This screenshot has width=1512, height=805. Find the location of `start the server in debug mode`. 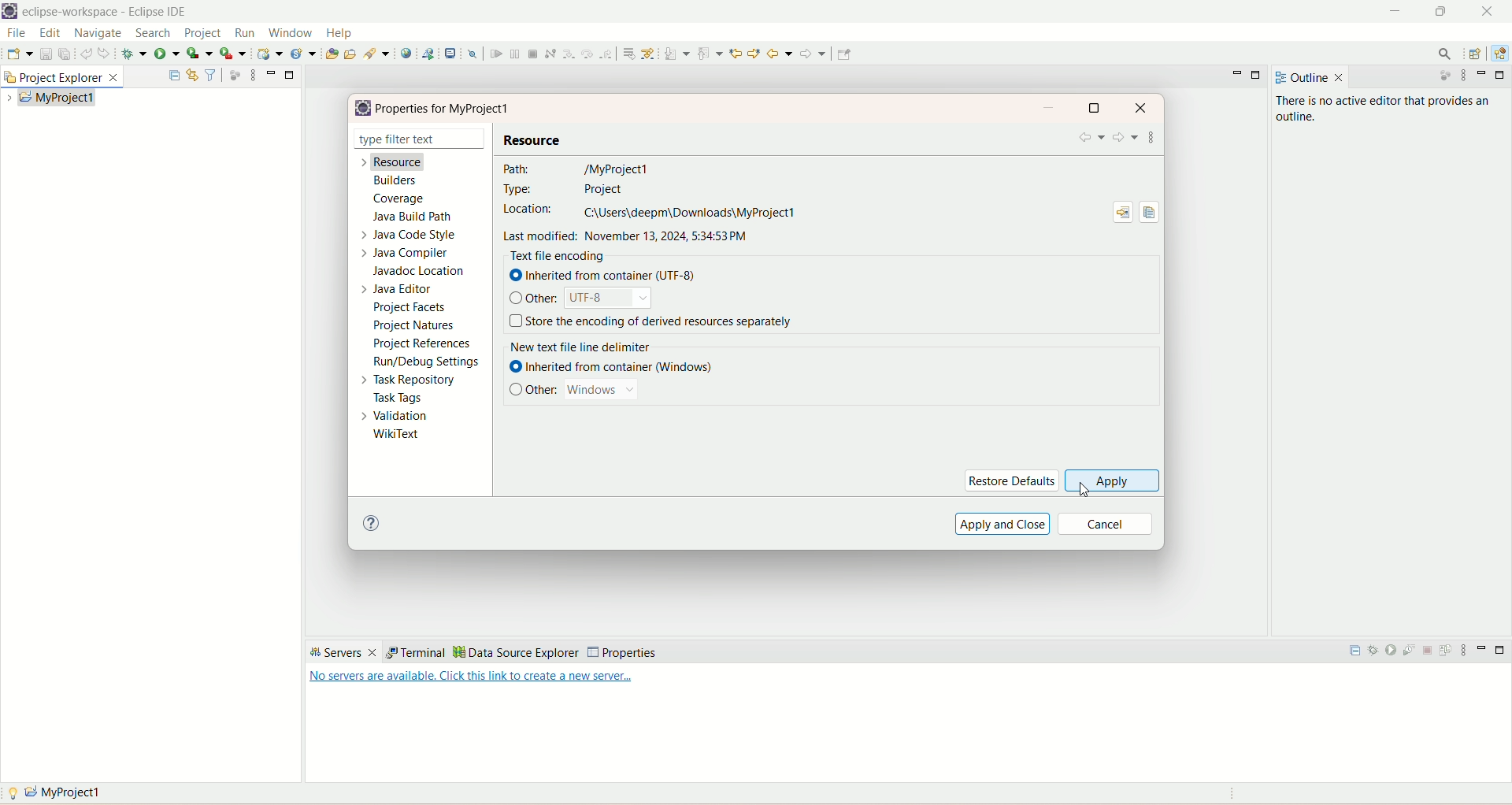

start the server in debug mode is located at coordinates (1374, 652).